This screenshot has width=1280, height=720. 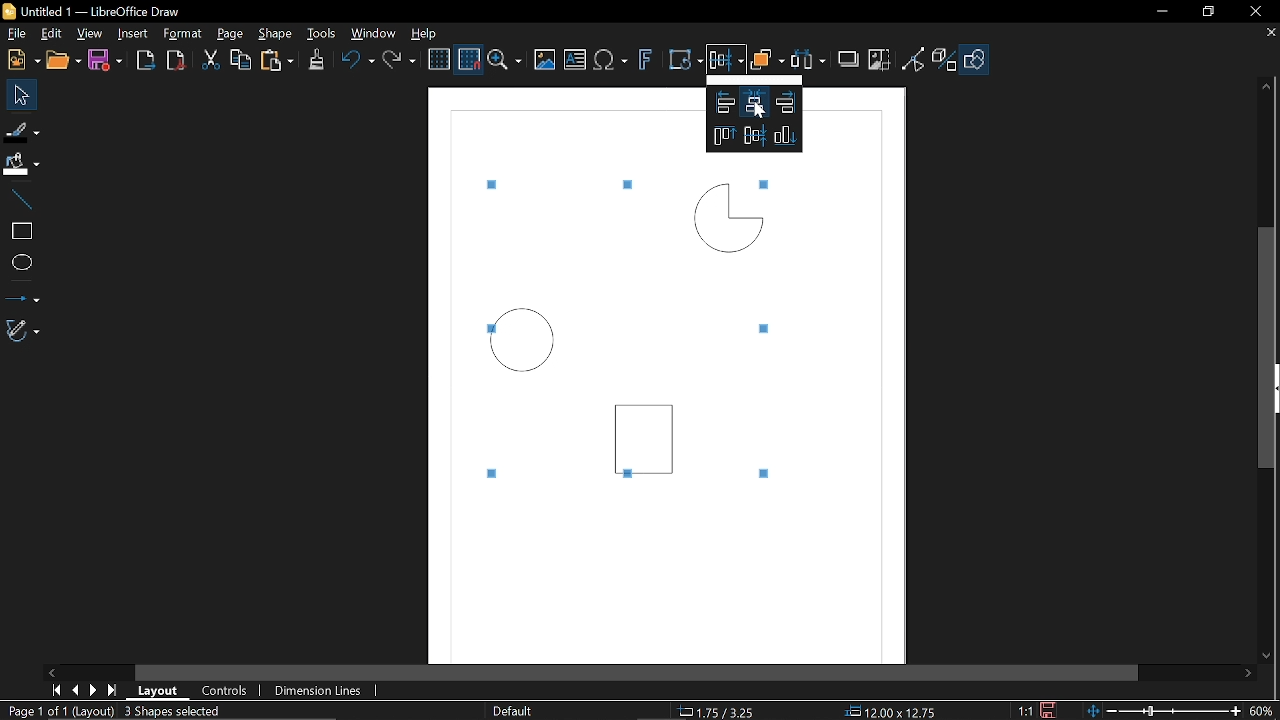 What do you see at coordinates (429, 33) in the screenshot?
I see `Help` at bounding box center [429, 33].